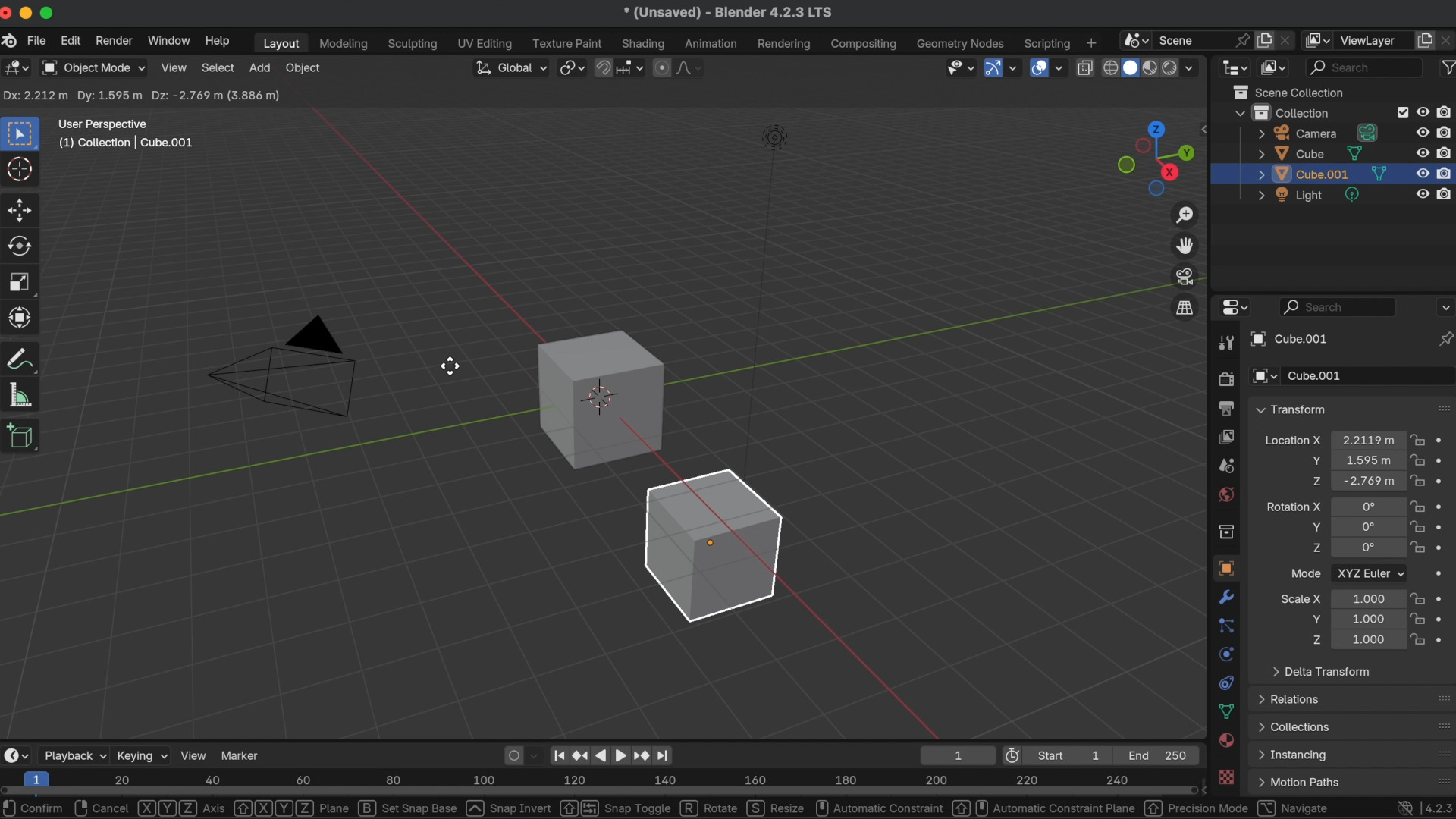  I want to click on cube, so click(600, 398).